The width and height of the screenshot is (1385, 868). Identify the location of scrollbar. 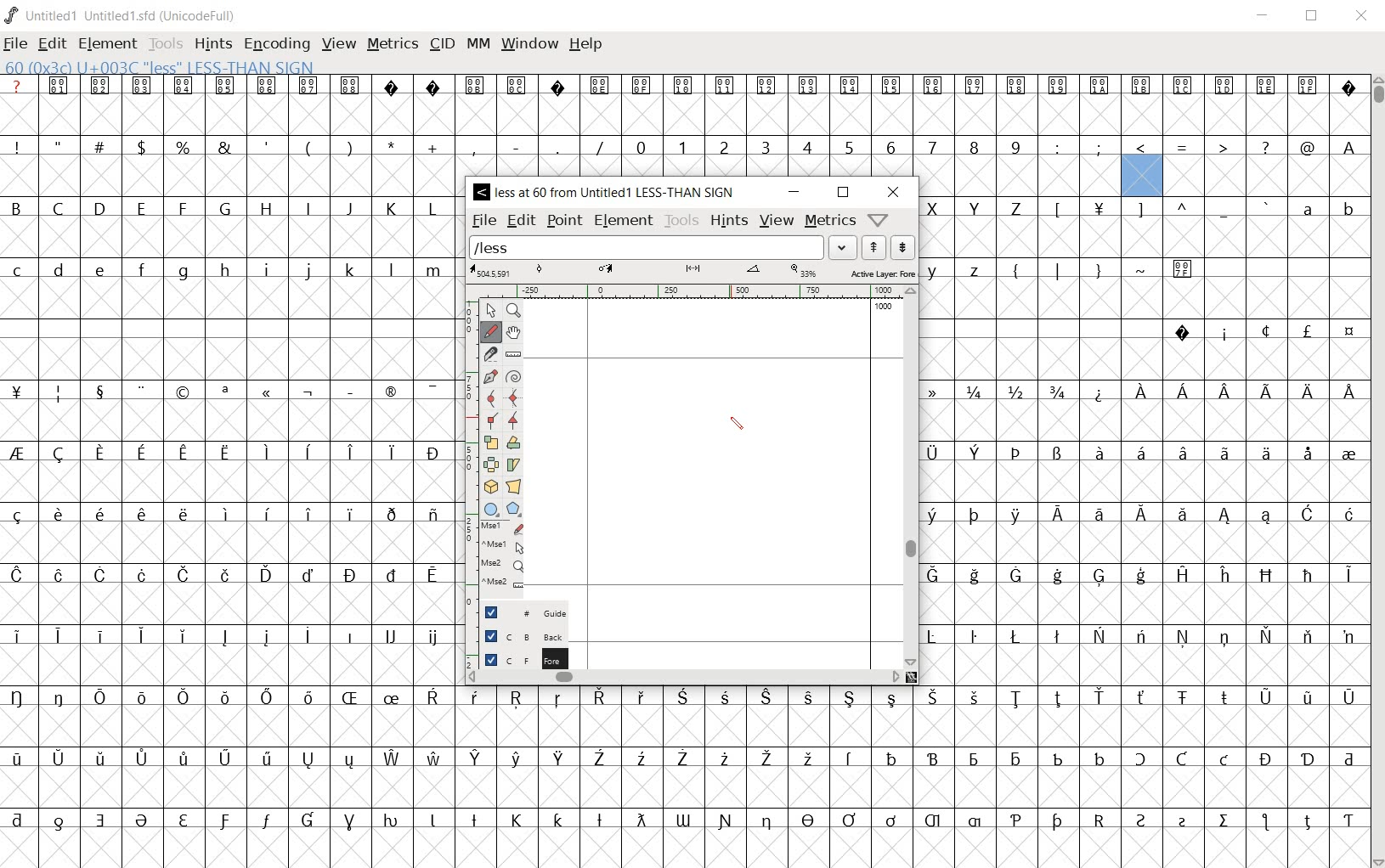
(1377, 470).